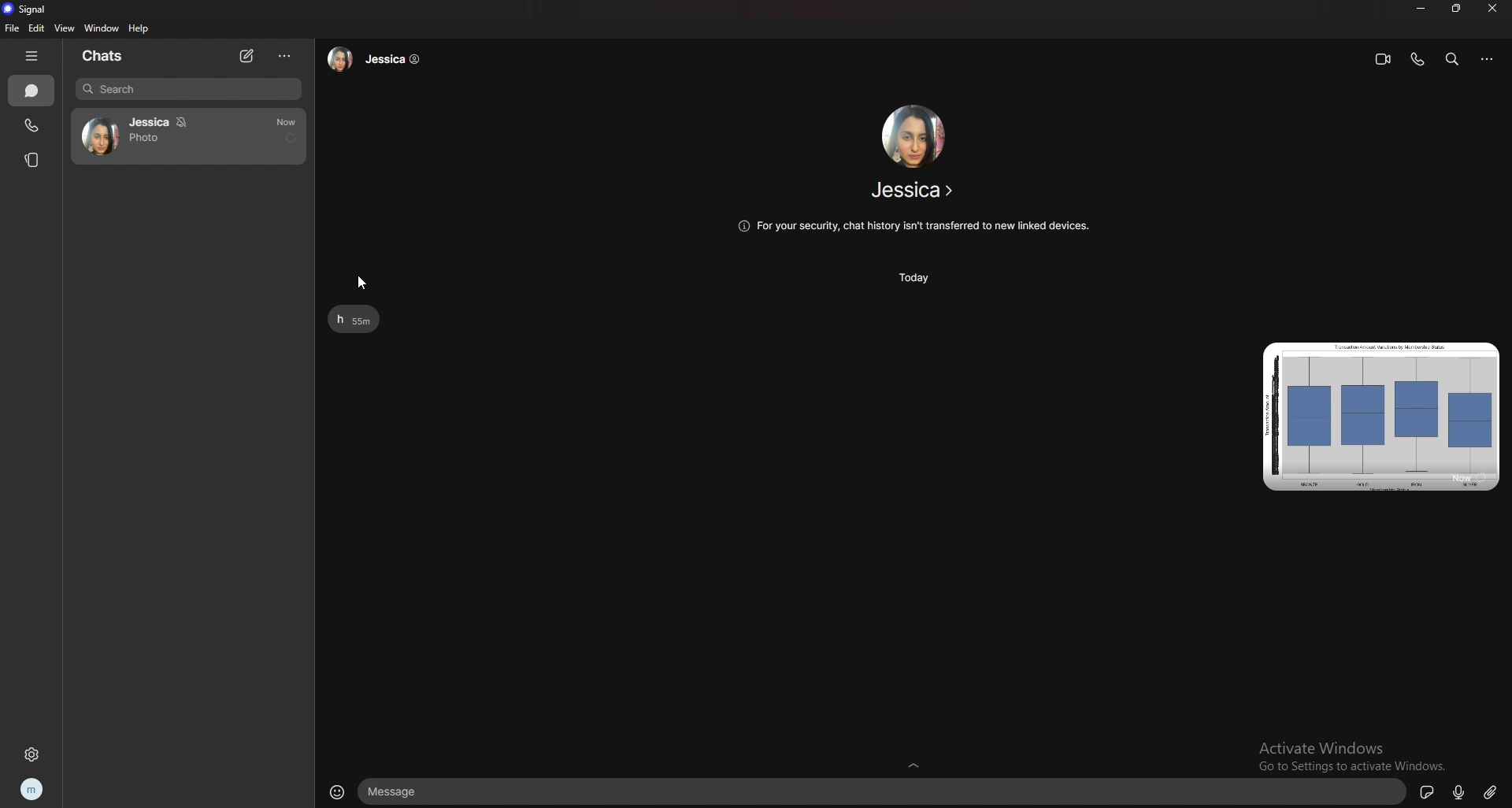 Image resolution: width=1512 pixels, height=808 pixels. What do you see at coordinates (188, 136) in the screenshot?
I see `contact` at bounding box center [188, 136].